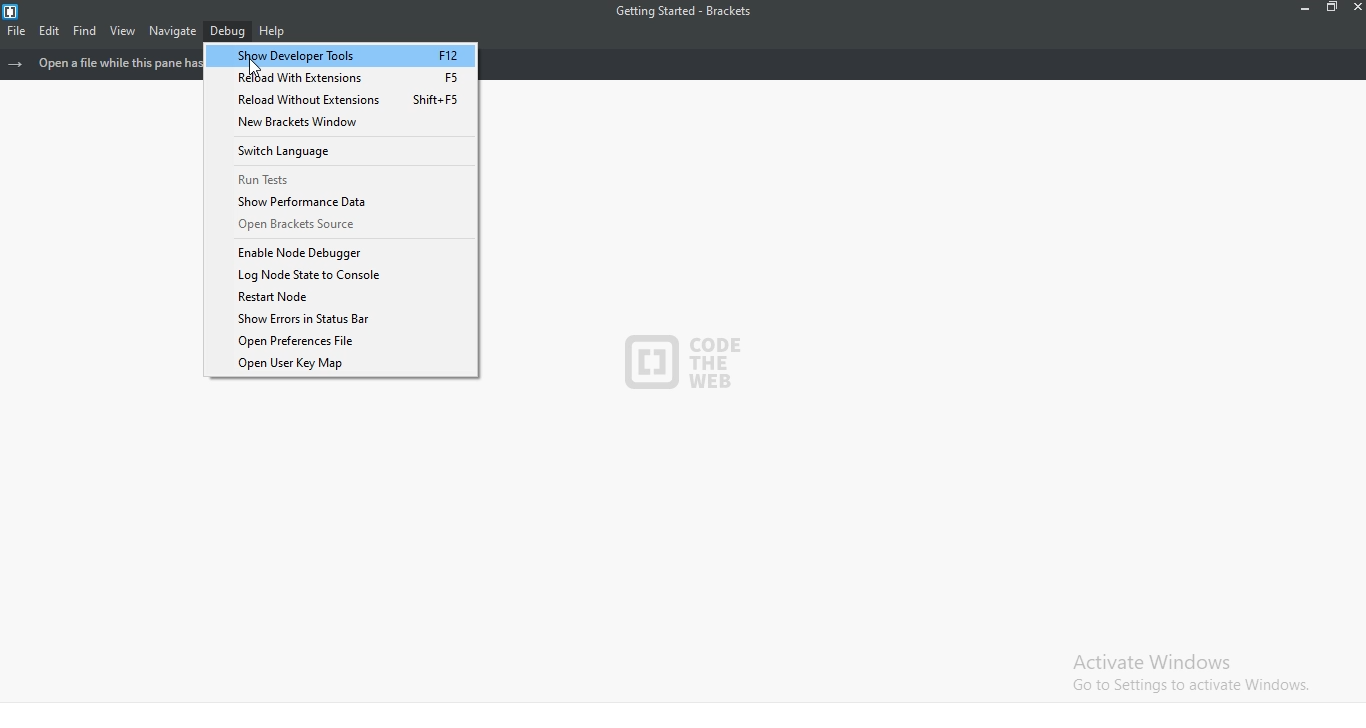 This screenshot has width=1366, height=728. What do you see at coordinates (85, 31) in the screenshot?
I see `find` at bounding box center [85, 31].